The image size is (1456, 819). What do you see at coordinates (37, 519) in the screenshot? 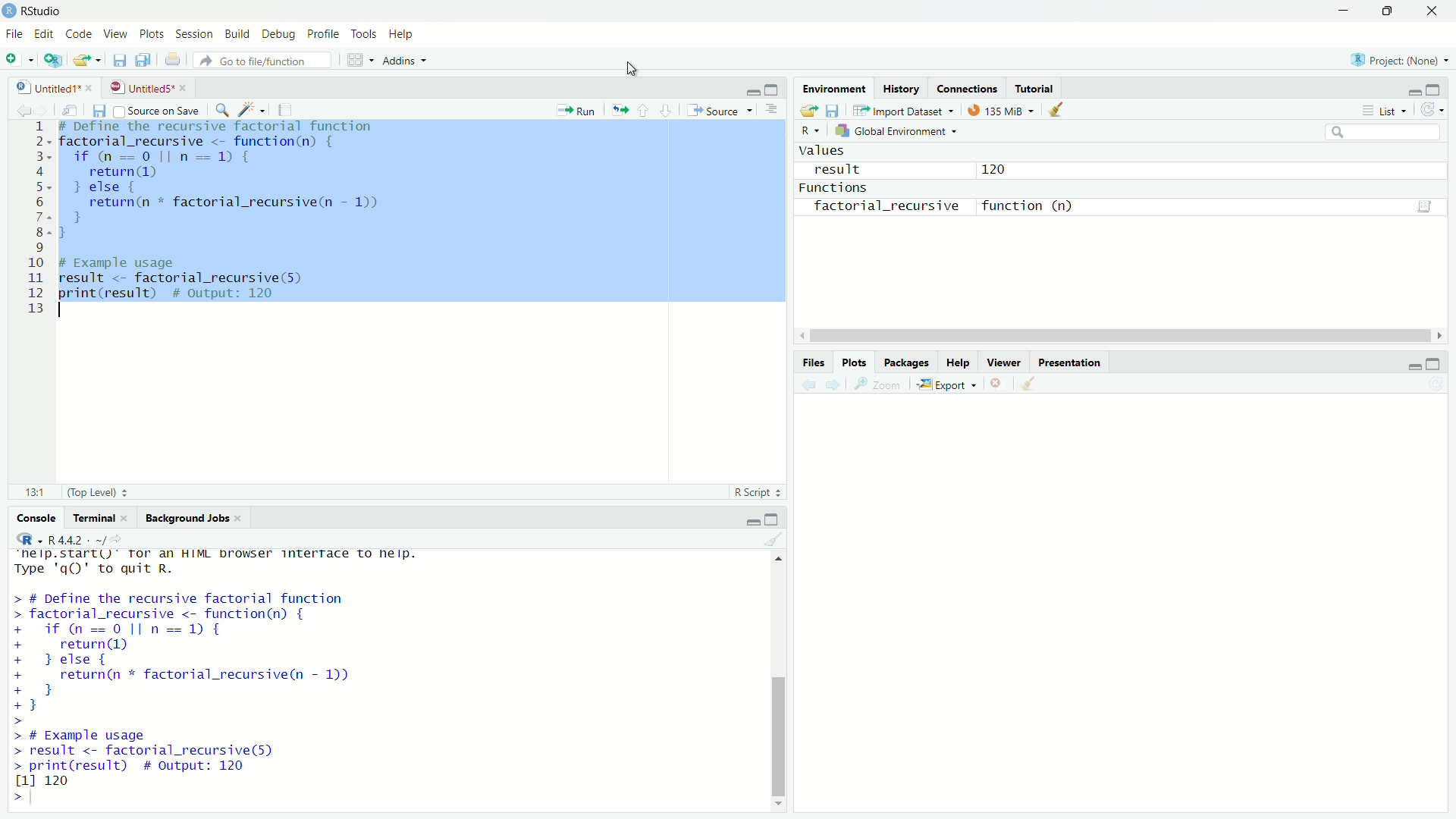
I see `Console` at bounding box center [37, 519].